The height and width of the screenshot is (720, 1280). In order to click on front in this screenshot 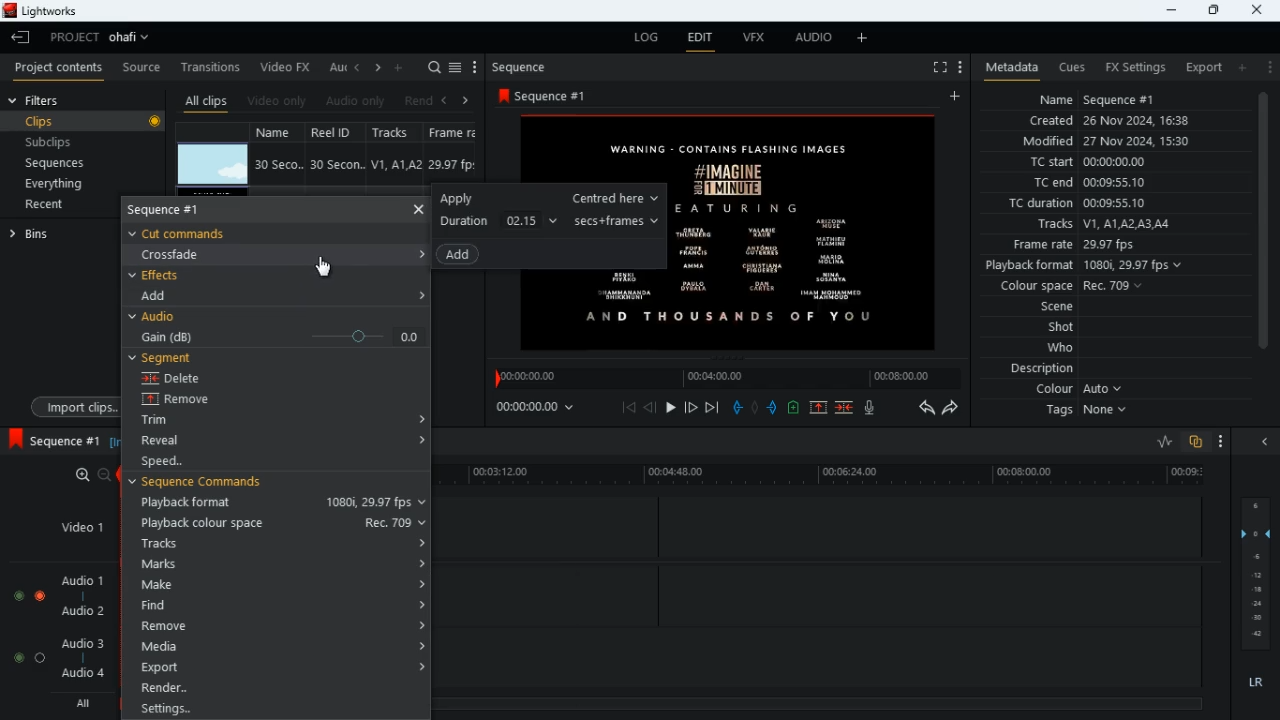, I will do `click(692, 407)`.